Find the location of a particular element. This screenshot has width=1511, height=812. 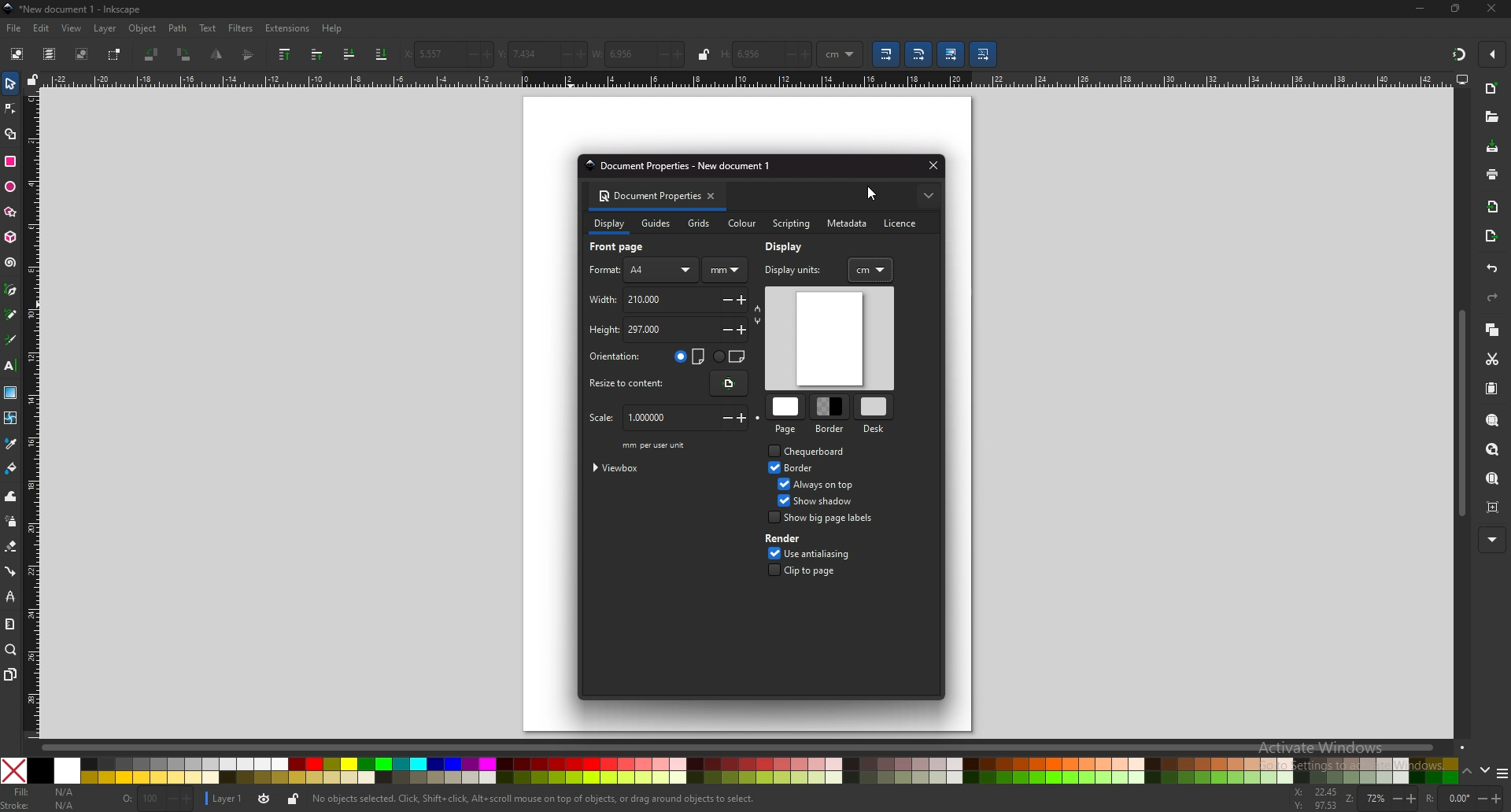

scale radii is located at coordinates (918, 54).